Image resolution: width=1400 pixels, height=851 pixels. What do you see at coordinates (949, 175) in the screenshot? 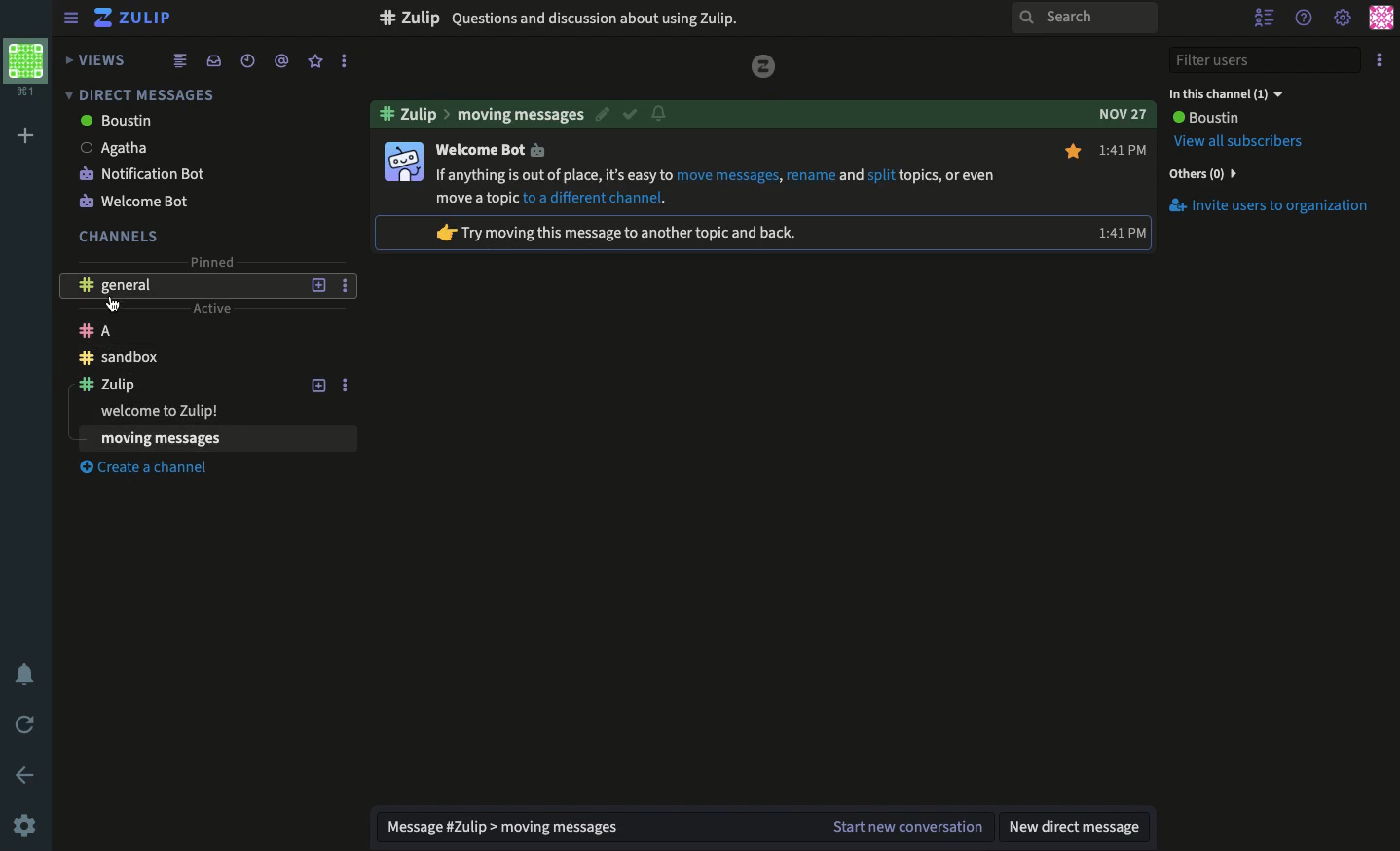
I see `text` at bounding box center [949, 175].